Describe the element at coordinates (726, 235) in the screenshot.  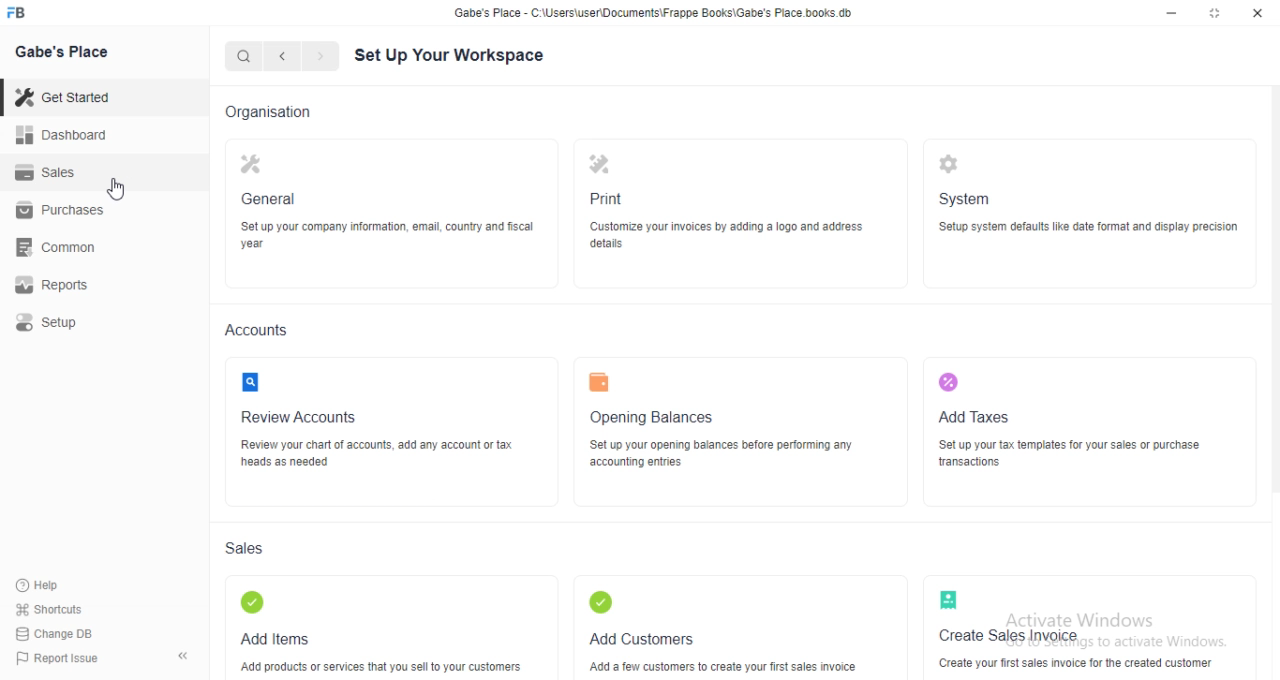
I see `Customize your invoices by adding a logo and address details` at that location.